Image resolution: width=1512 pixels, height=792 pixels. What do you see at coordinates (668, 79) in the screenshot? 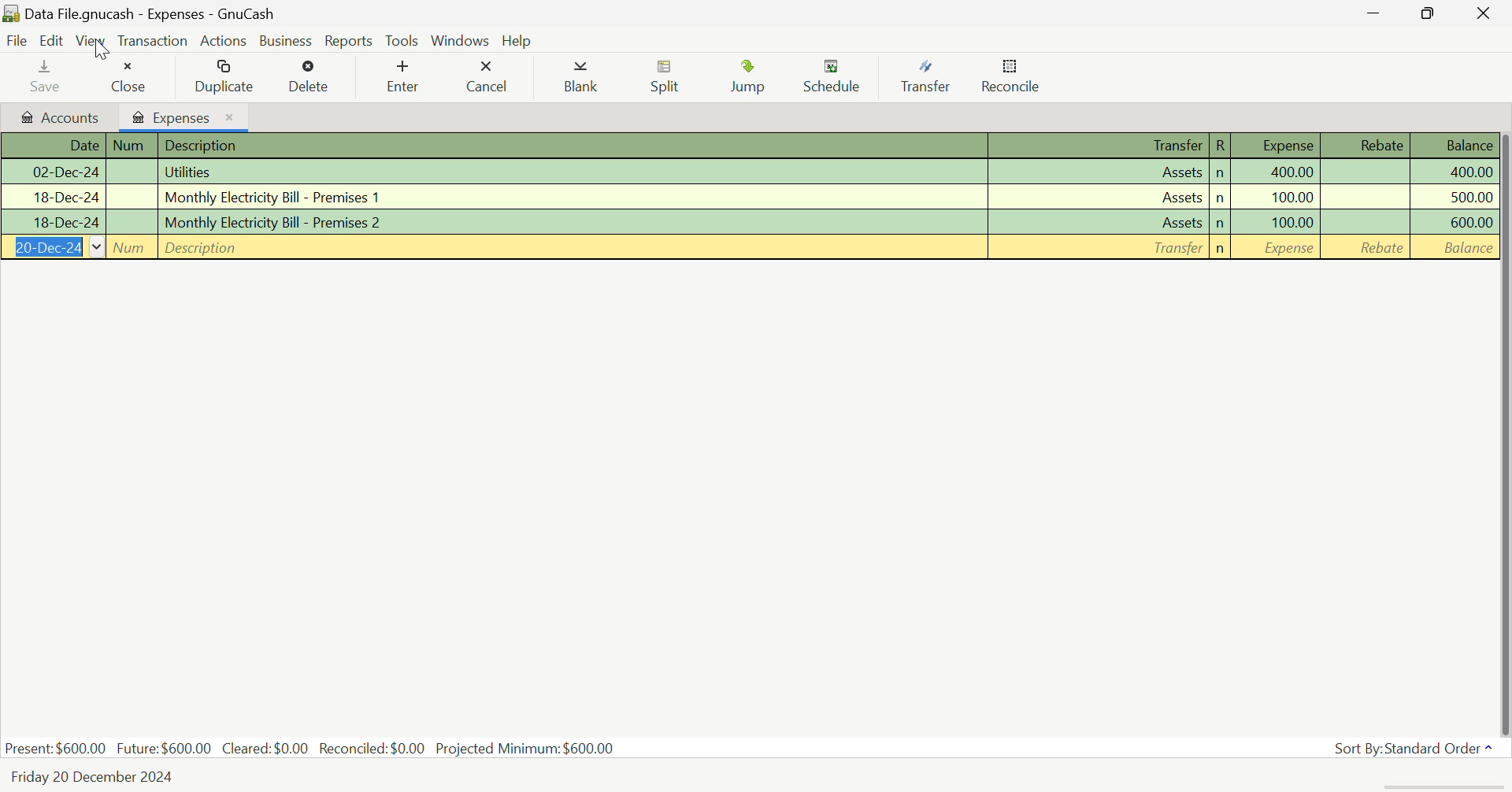
I see `Split` at bounding box center [668, 79].